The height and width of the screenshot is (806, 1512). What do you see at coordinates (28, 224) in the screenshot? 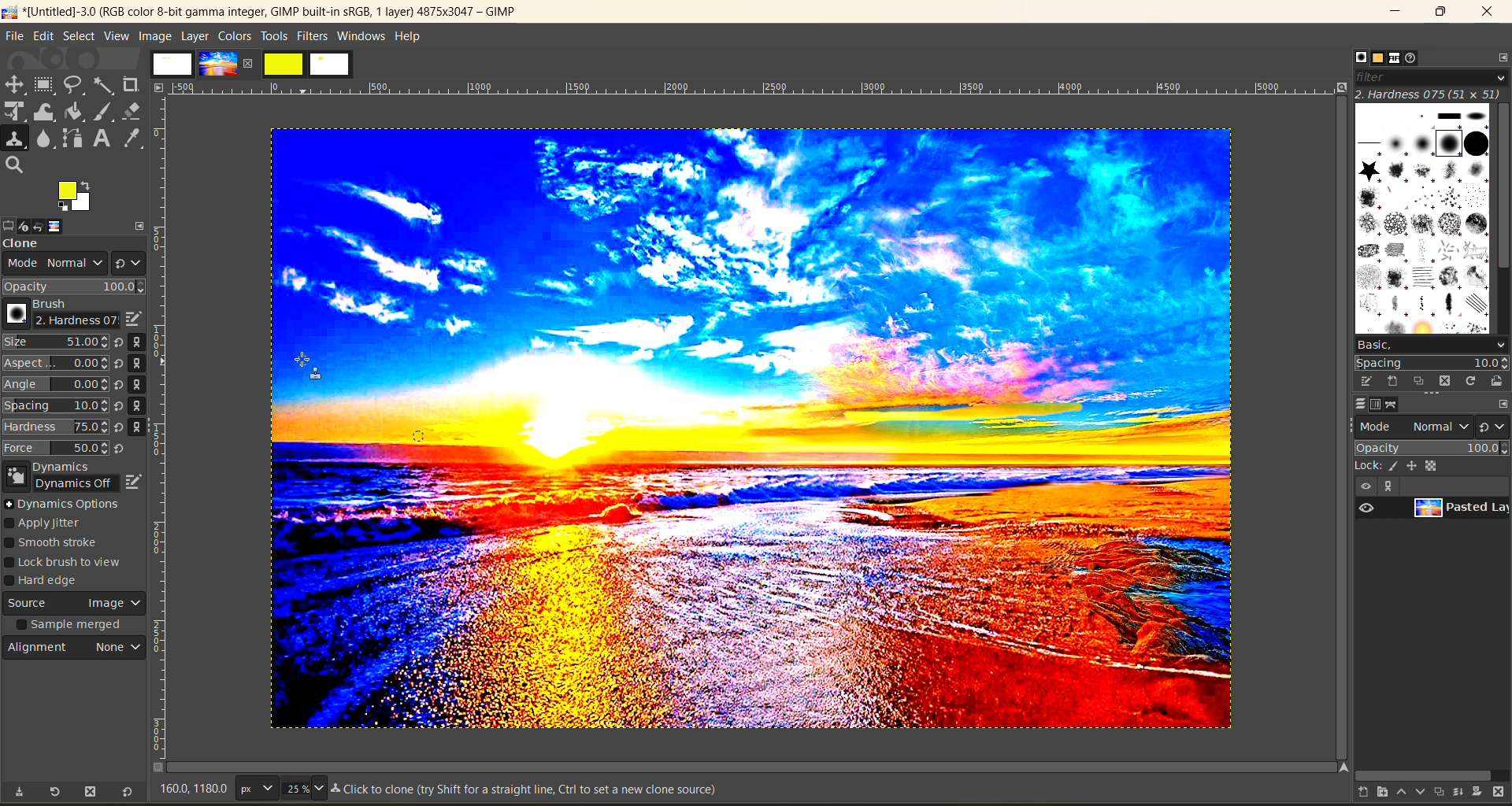
I see `device status` at bounding box center [28, 224].